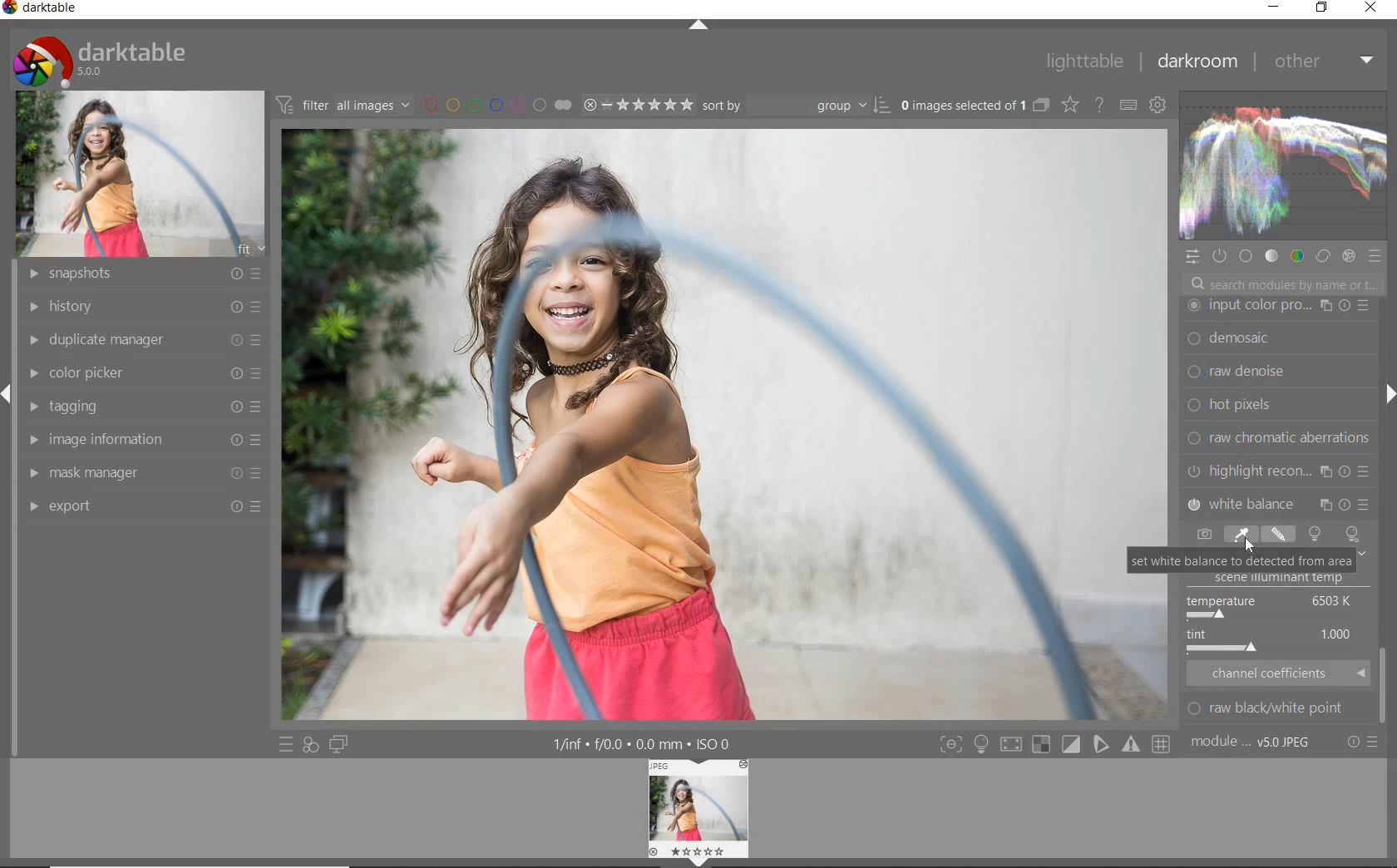 Image resolution: width=1397 pixels, height=868 pixels. What do you see at coordinates (1279, 502) in the screenshot?
I see `split toning` at bounding box center [1279, 502].